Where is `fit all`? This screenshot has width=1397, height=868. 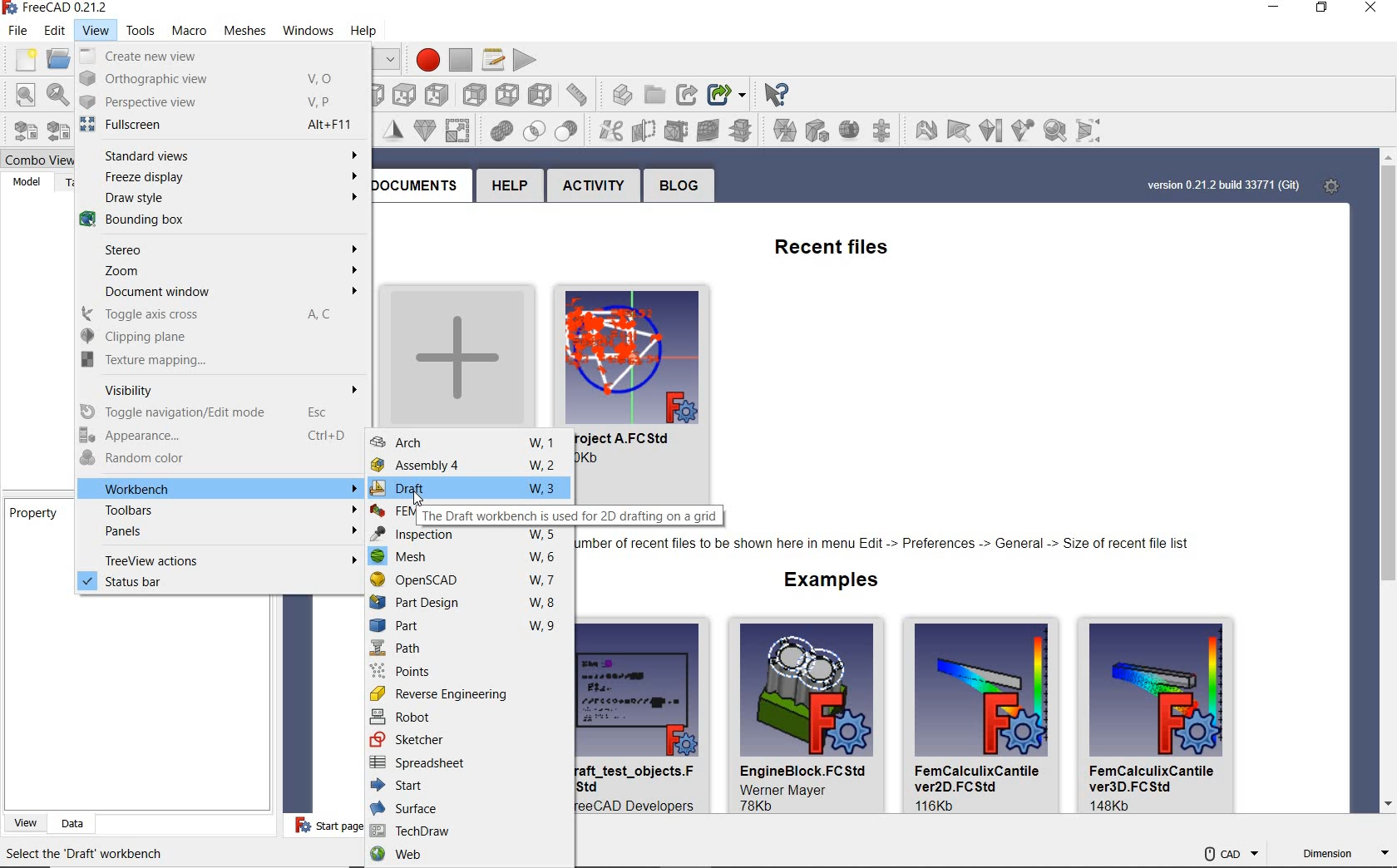 fit all is located at coordinates (20, 95).